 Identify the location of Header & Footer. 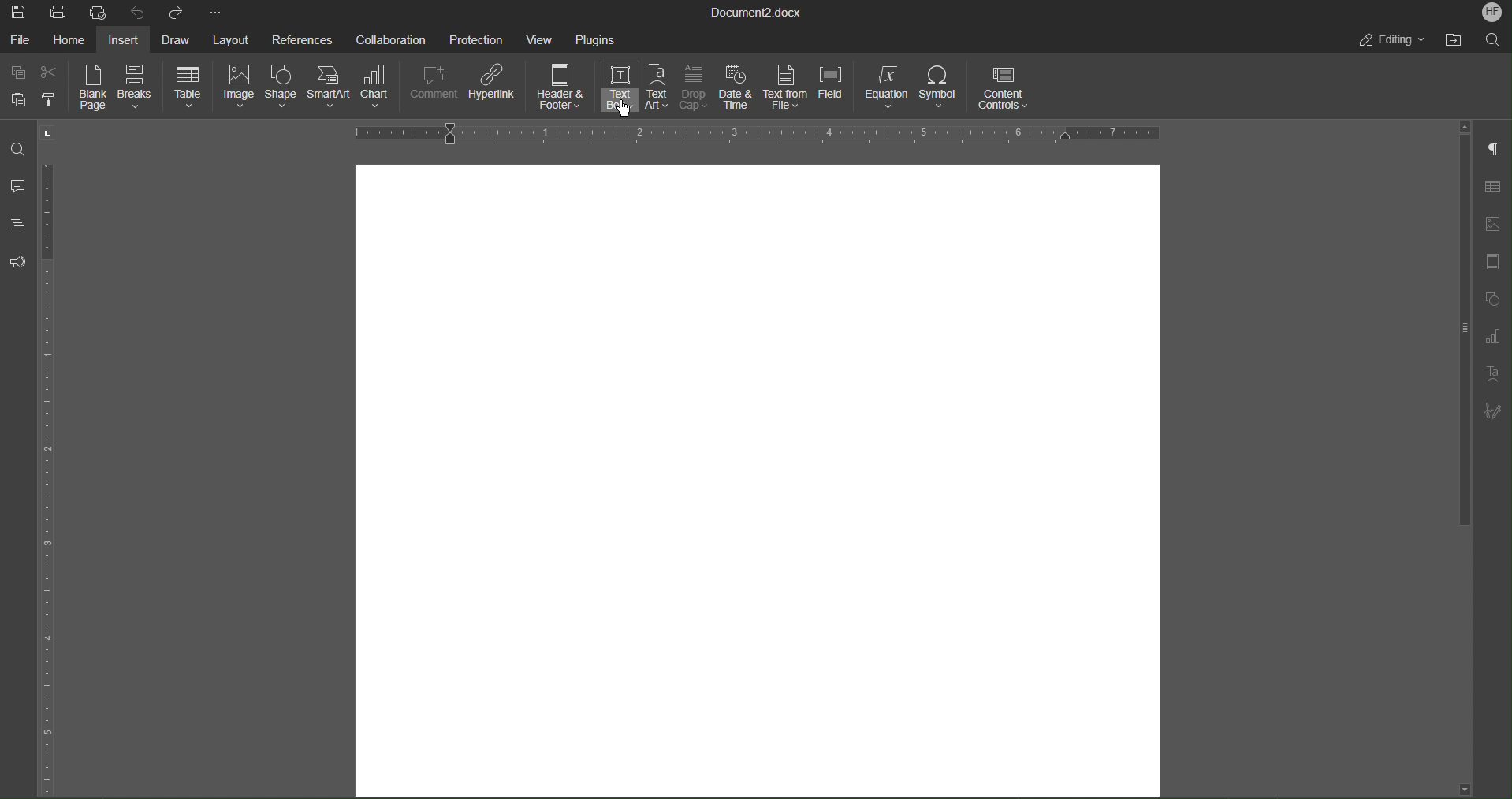
(562, 89).